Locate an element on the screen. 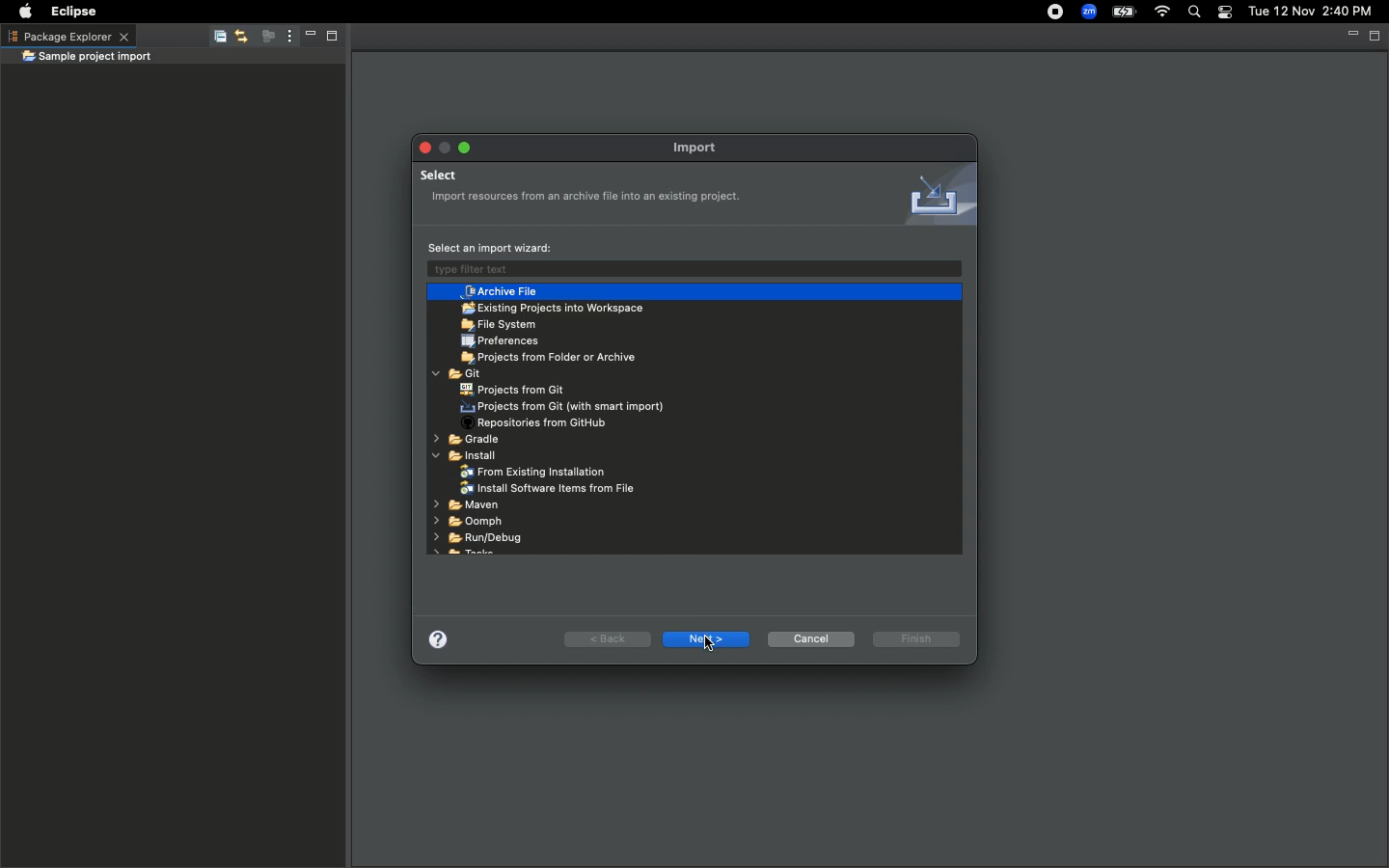  Control centre is located at coordinates (1223, 13).